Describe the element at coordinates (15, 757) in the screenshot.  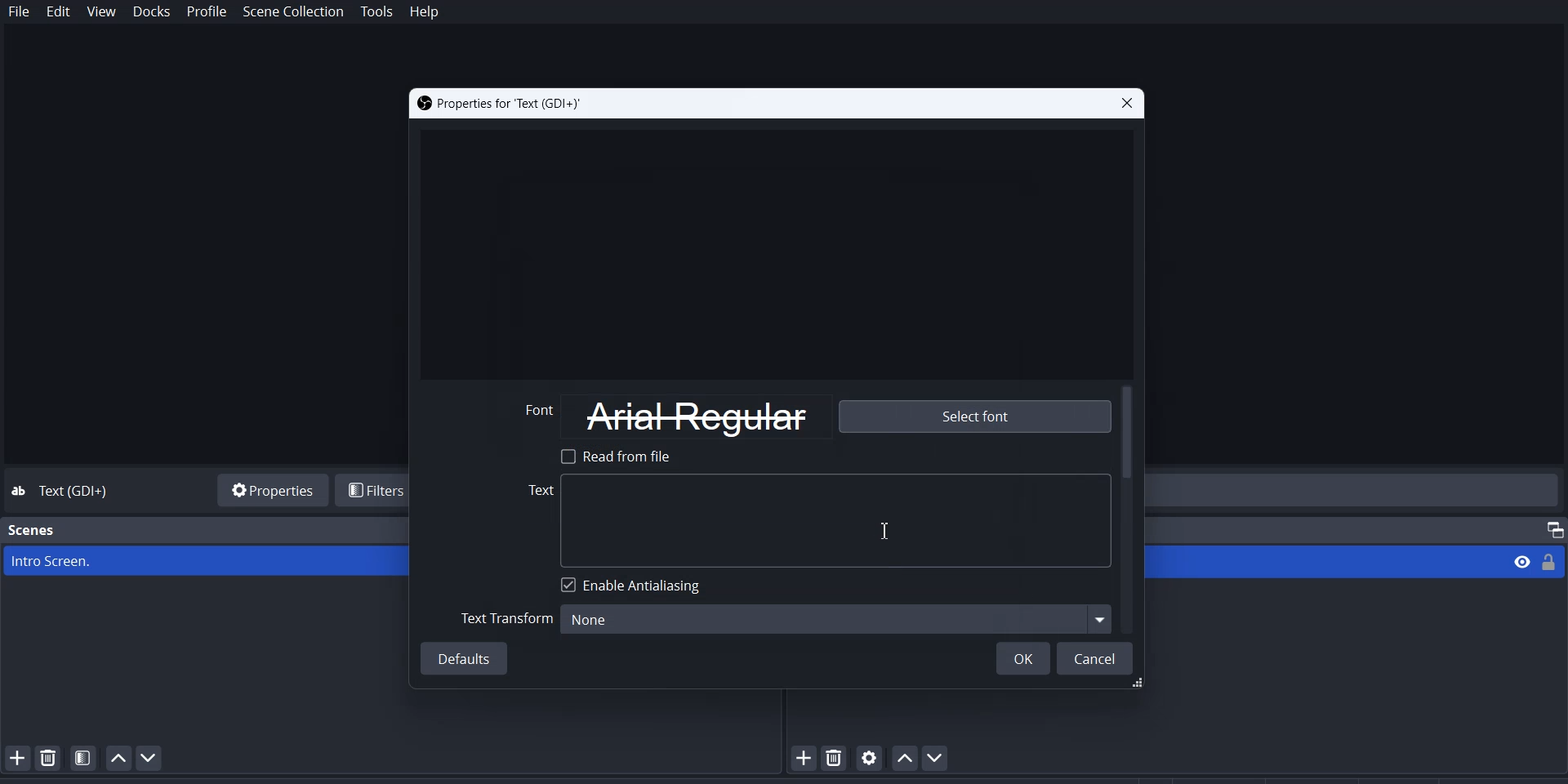
I see `Add Scene` at that location.